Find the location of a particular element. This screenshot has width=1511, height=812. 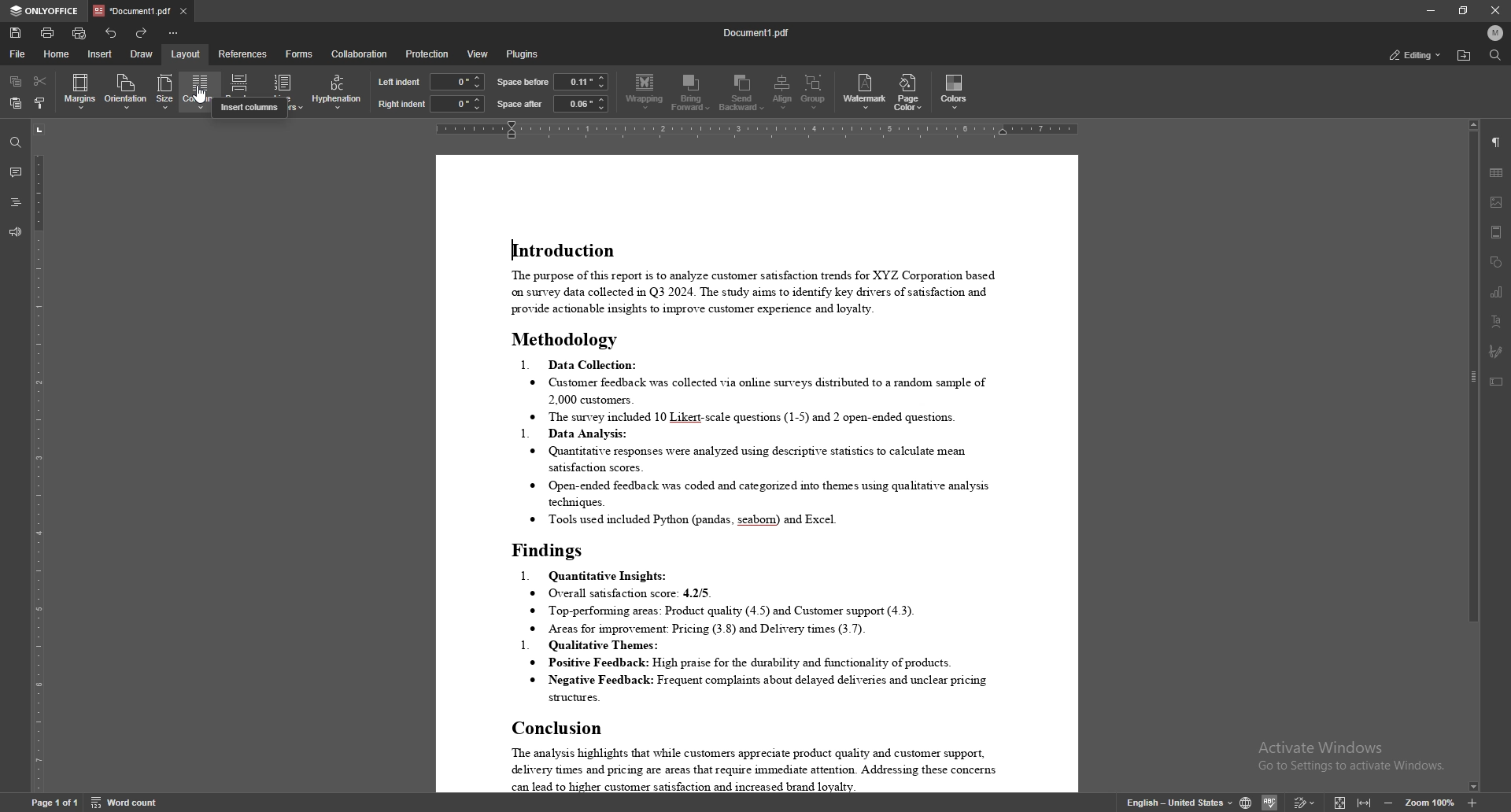

right indent input is located at coordinates (458, 104).